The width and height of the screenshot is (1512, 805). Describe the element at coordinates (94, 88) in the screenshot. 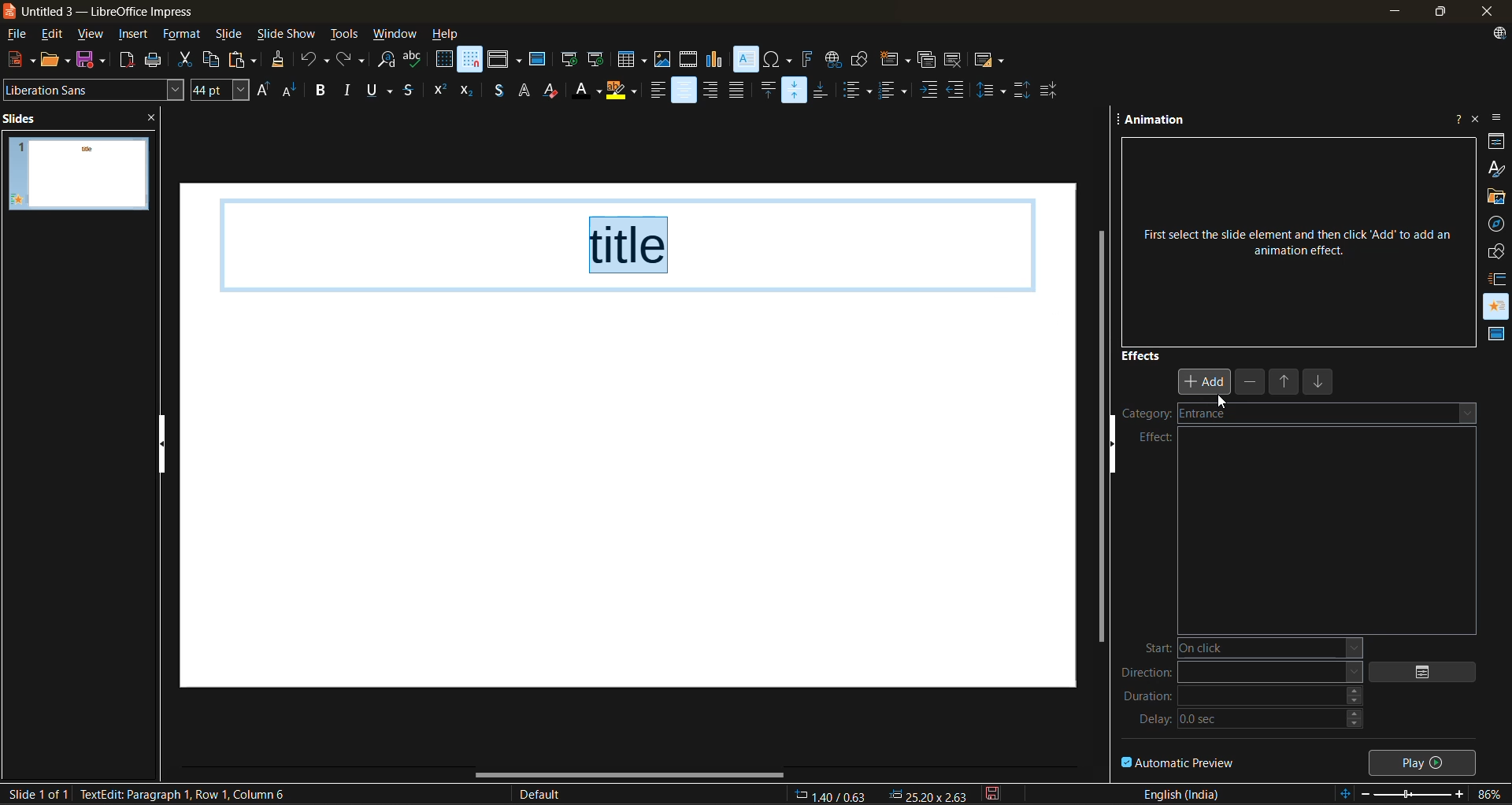

I see `font name` at that location.